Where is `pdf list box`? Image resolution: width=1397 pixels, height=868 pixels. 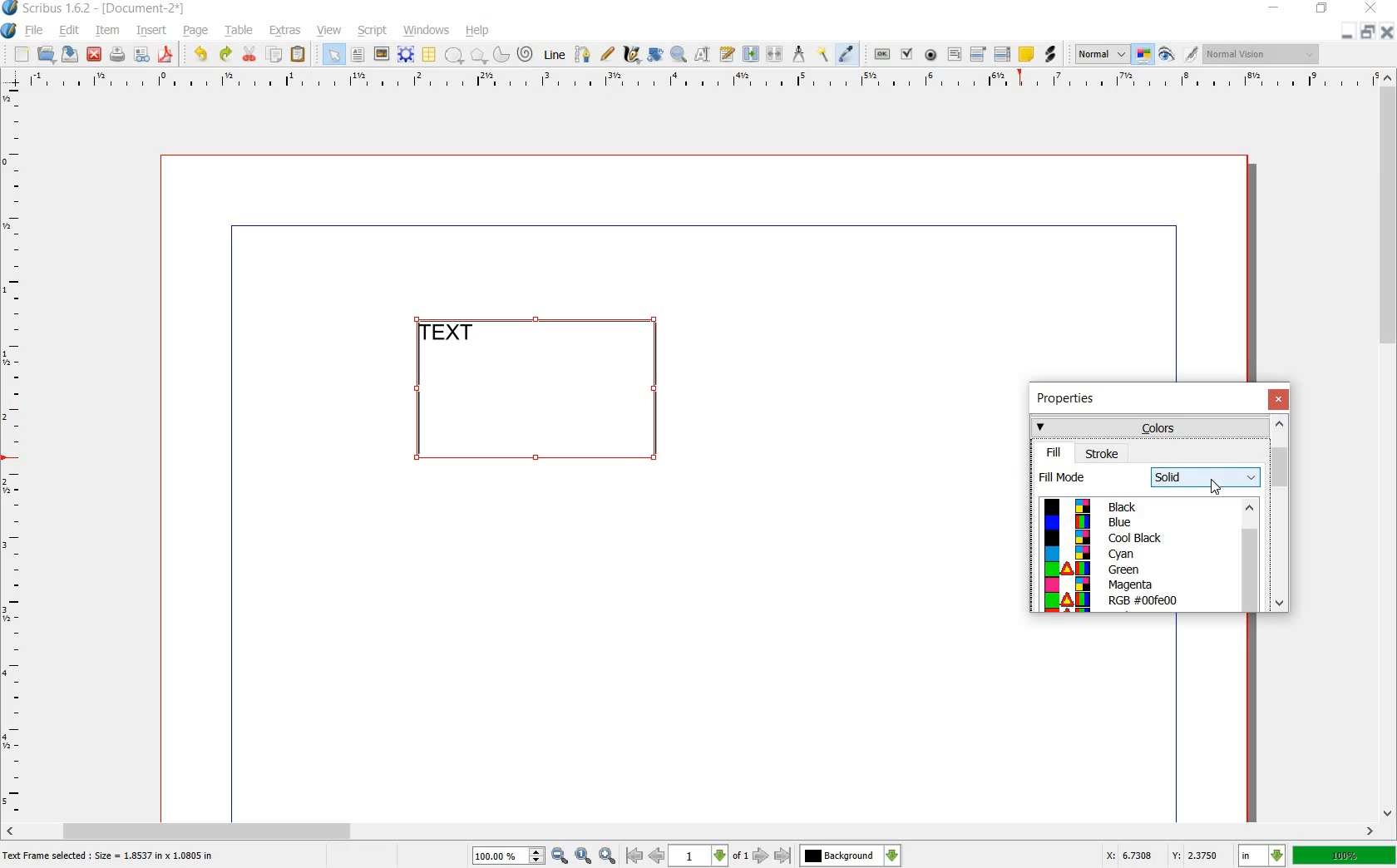 pdf list box is located at coordinates (1002, 53).